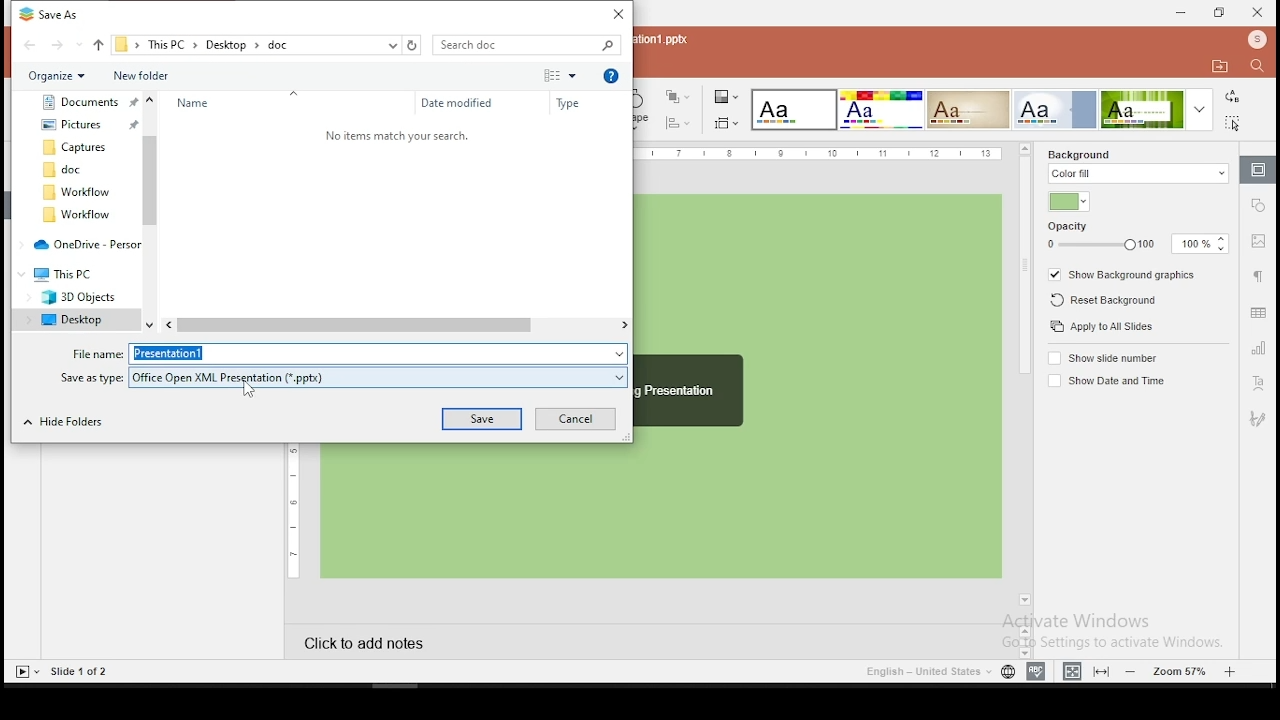  I want to click on previous locations, so click(391, 45).